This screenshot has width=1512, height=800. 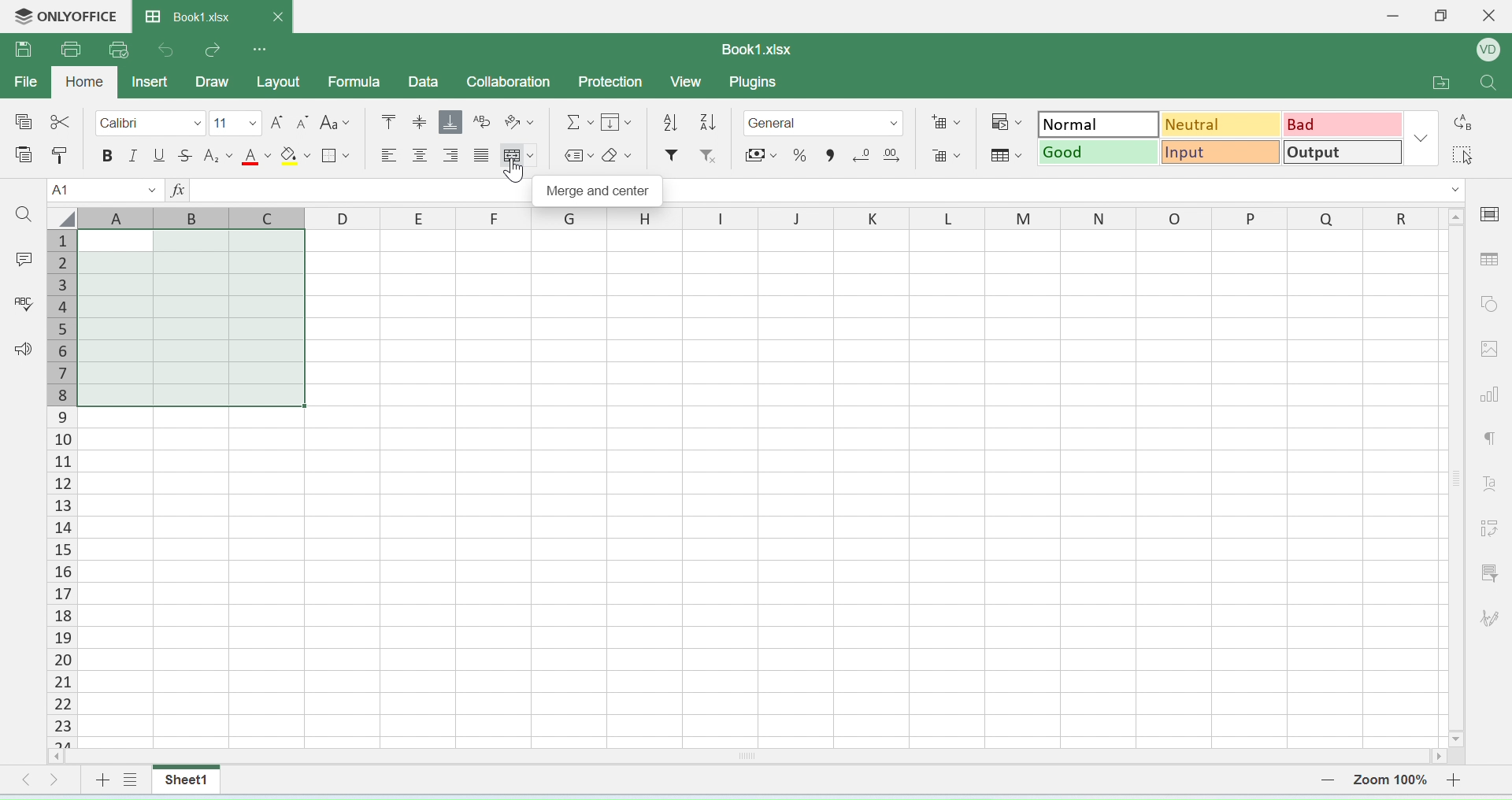 What do you see at coordinates (754, 48) in the screenshot?
I see `book1.xlsx` at bounding box center [754, 48].